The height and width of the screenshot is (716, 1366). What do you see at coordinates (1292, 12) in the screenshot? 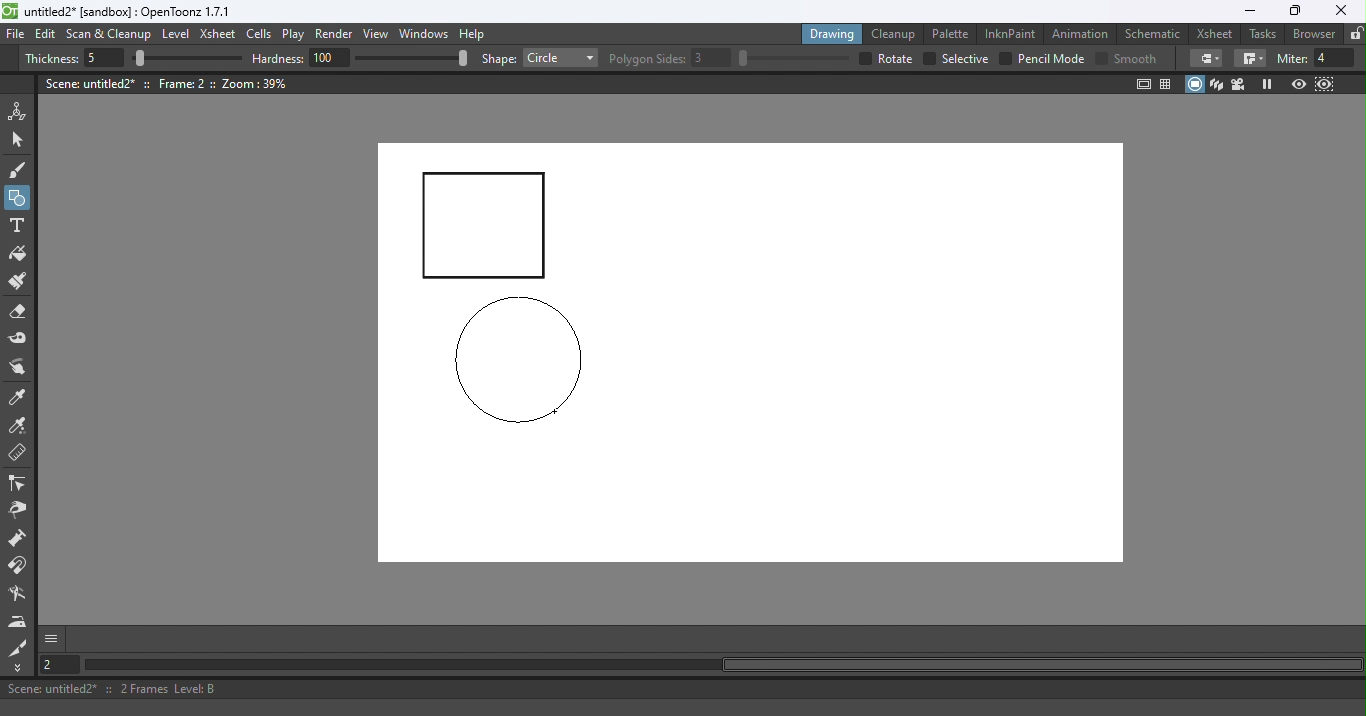
I see `Maximize` at bounding box center [1292, 12].